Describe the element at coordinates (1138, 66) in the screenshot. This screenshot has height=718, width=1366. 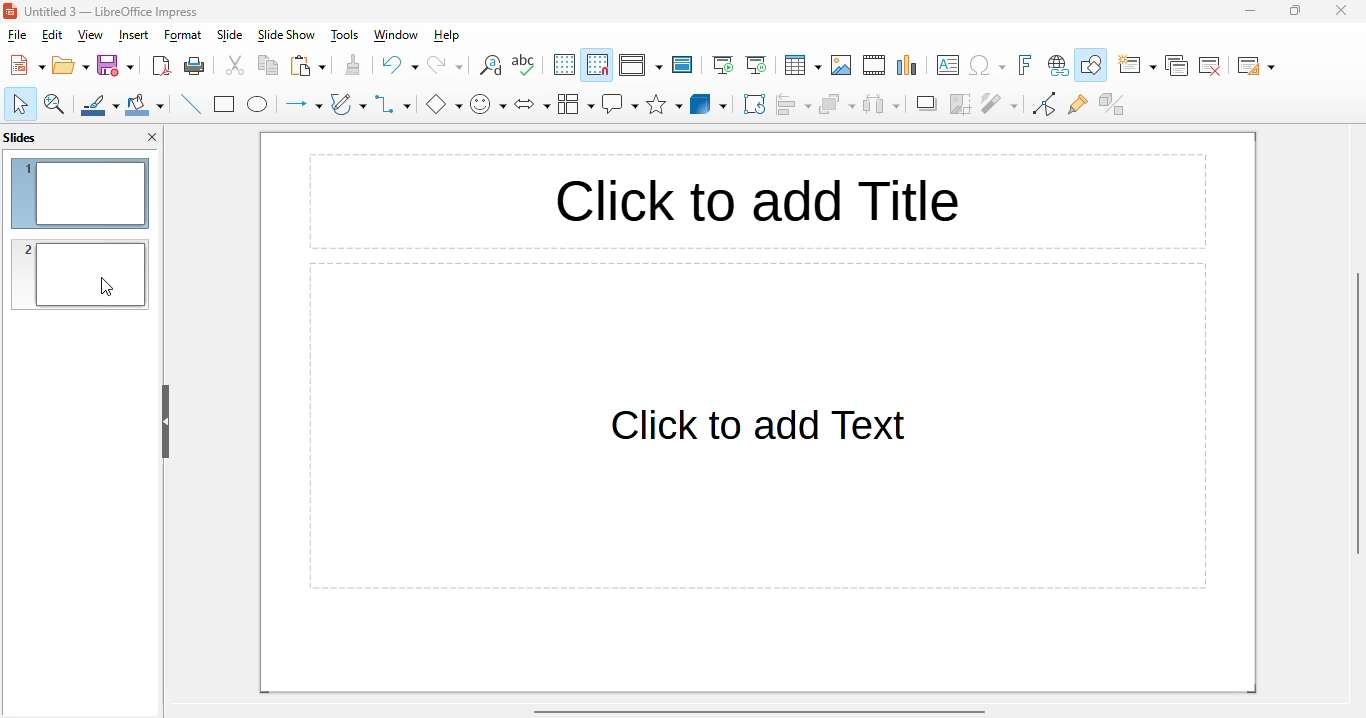
I see `new slide` at that location.